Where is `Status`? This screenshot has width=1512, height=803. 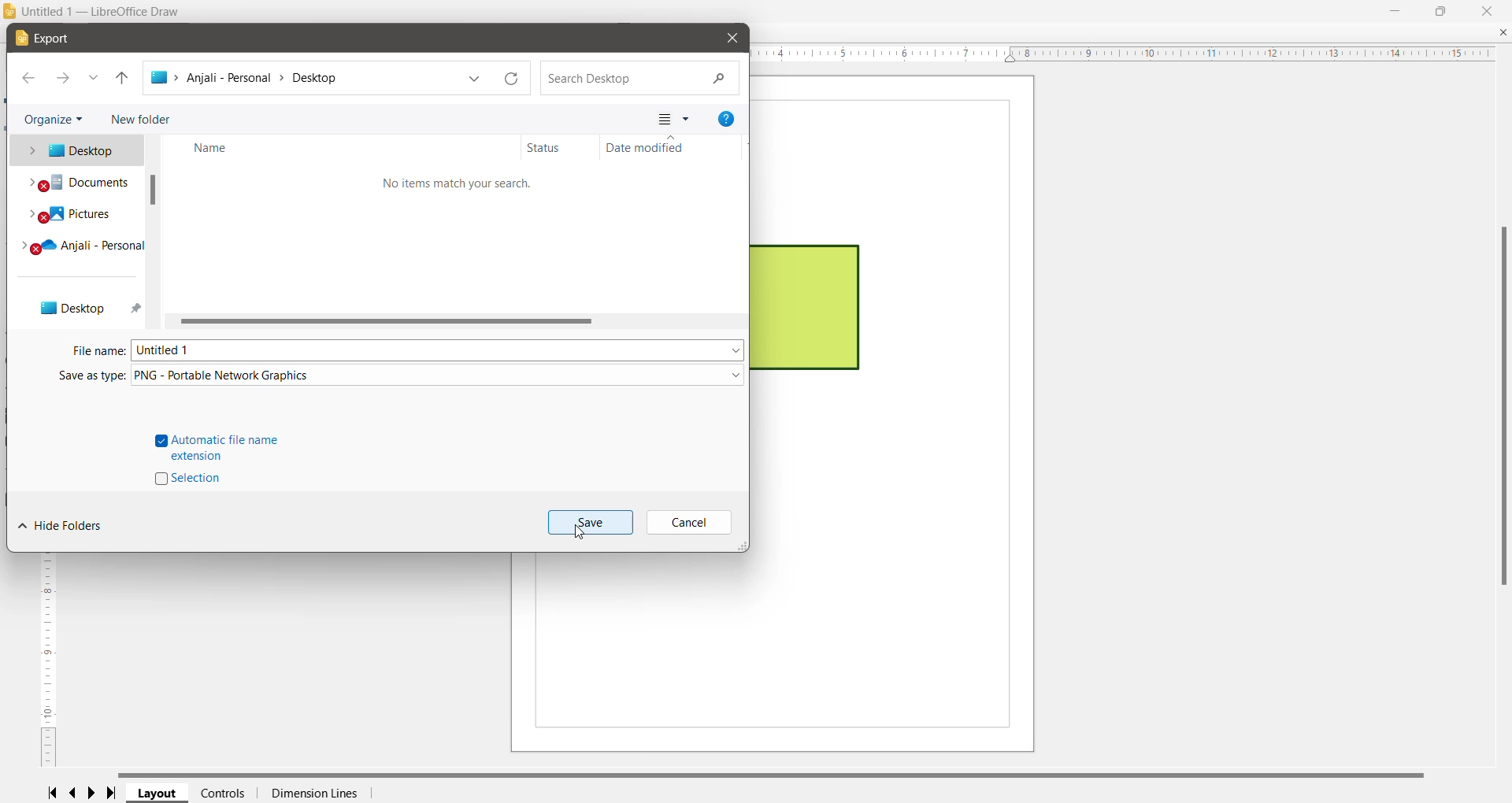 Status is located at coordinates (560, 147).